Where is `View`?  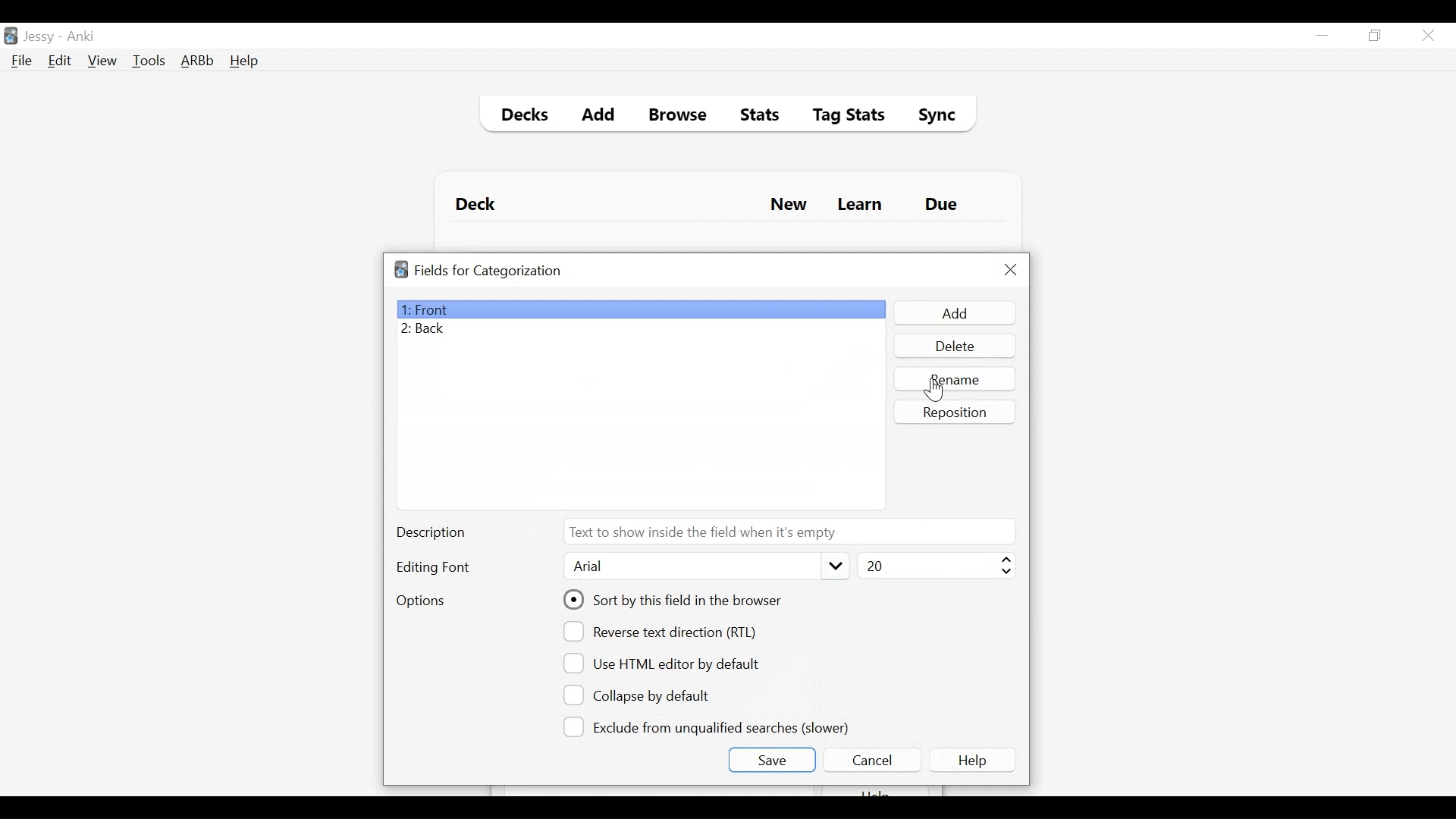 View is located at coordinates (103, 61).